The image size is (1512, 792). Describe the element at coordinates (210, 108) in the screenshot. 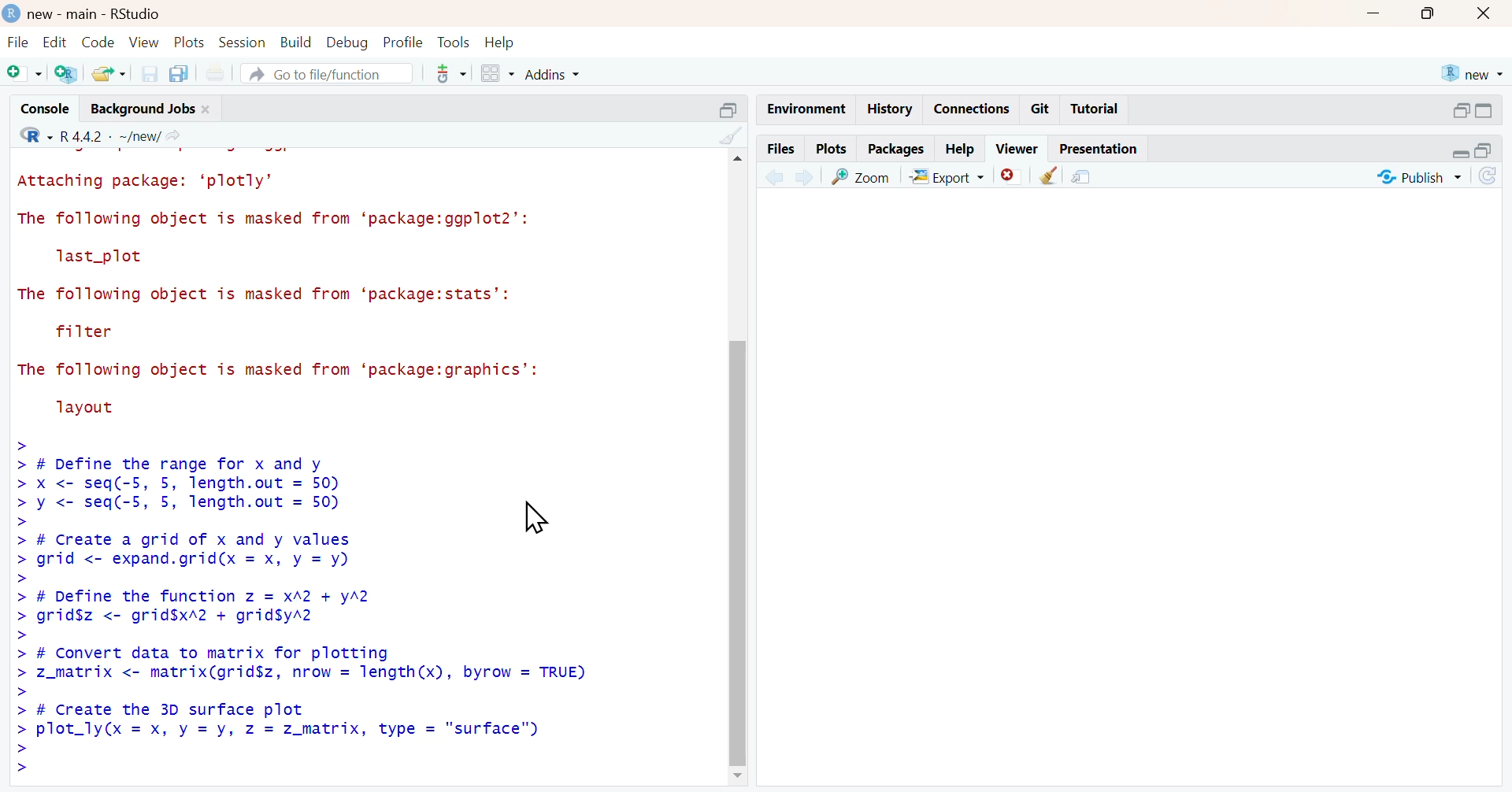

I see `close` at that location.